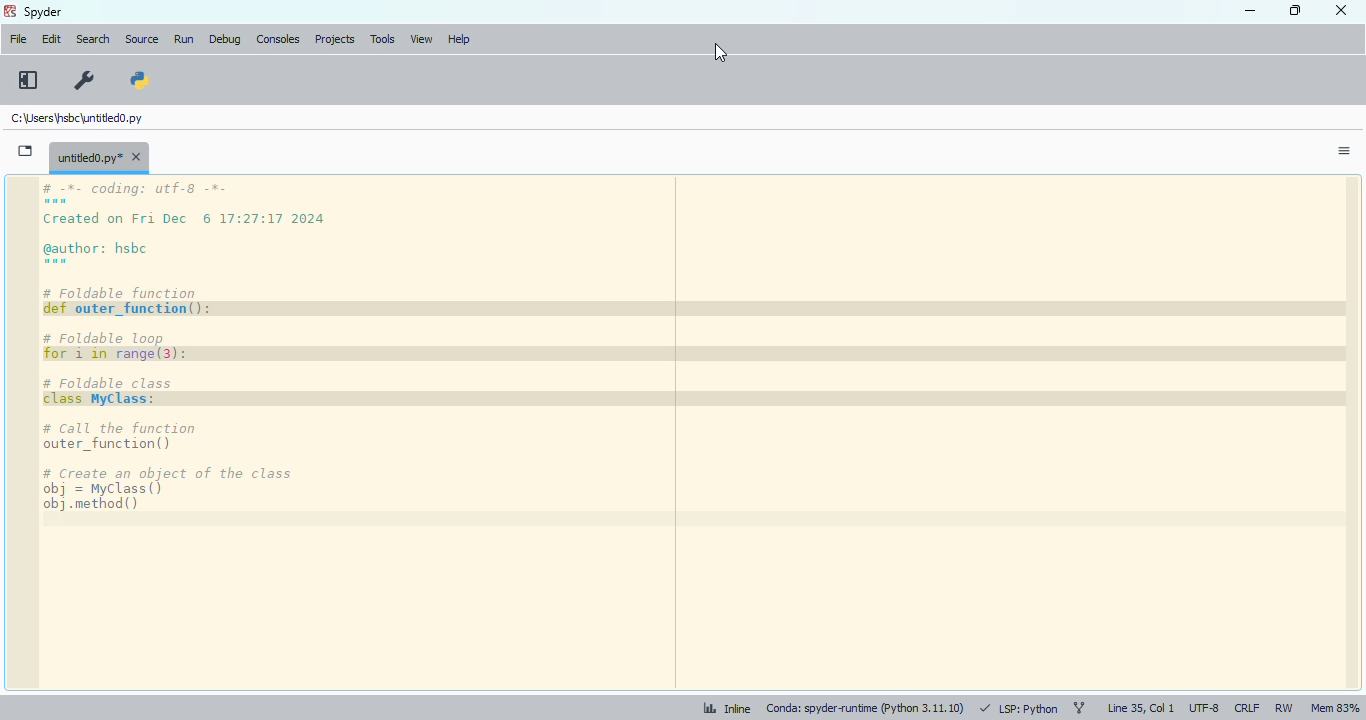 The width and height of the screenshot is (1366, 720). Describe the element at coordinates (29, 80) in the screenshot. I see `maximize current pane` at that location.